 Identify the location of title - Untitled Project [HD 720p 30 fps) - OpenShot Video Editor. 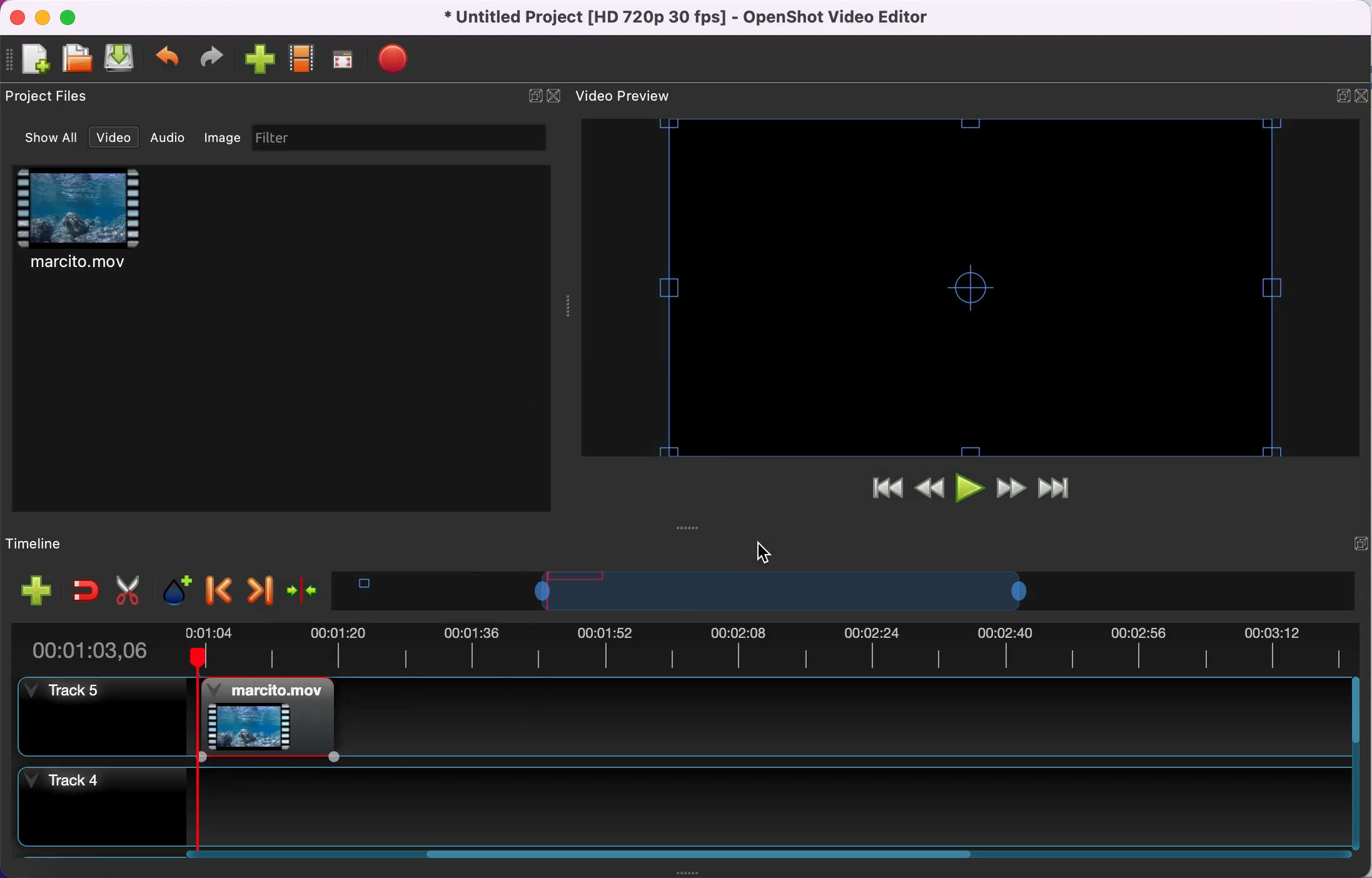
(692, 18).